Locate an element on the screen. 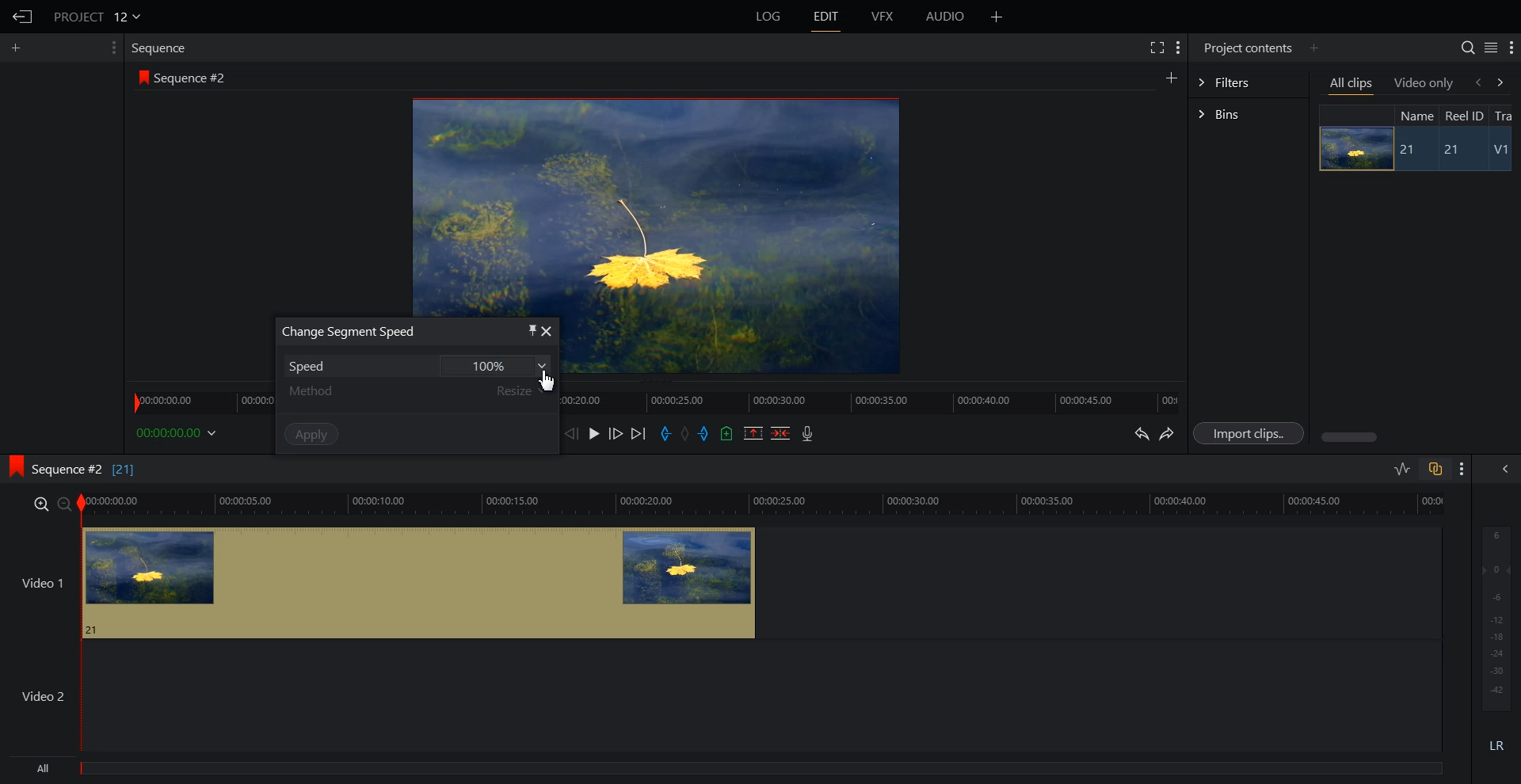 Image resolution: width=1521 pixels, height=784 pixels. Toggle between list and tile view is located at coordinates (1491, 48).